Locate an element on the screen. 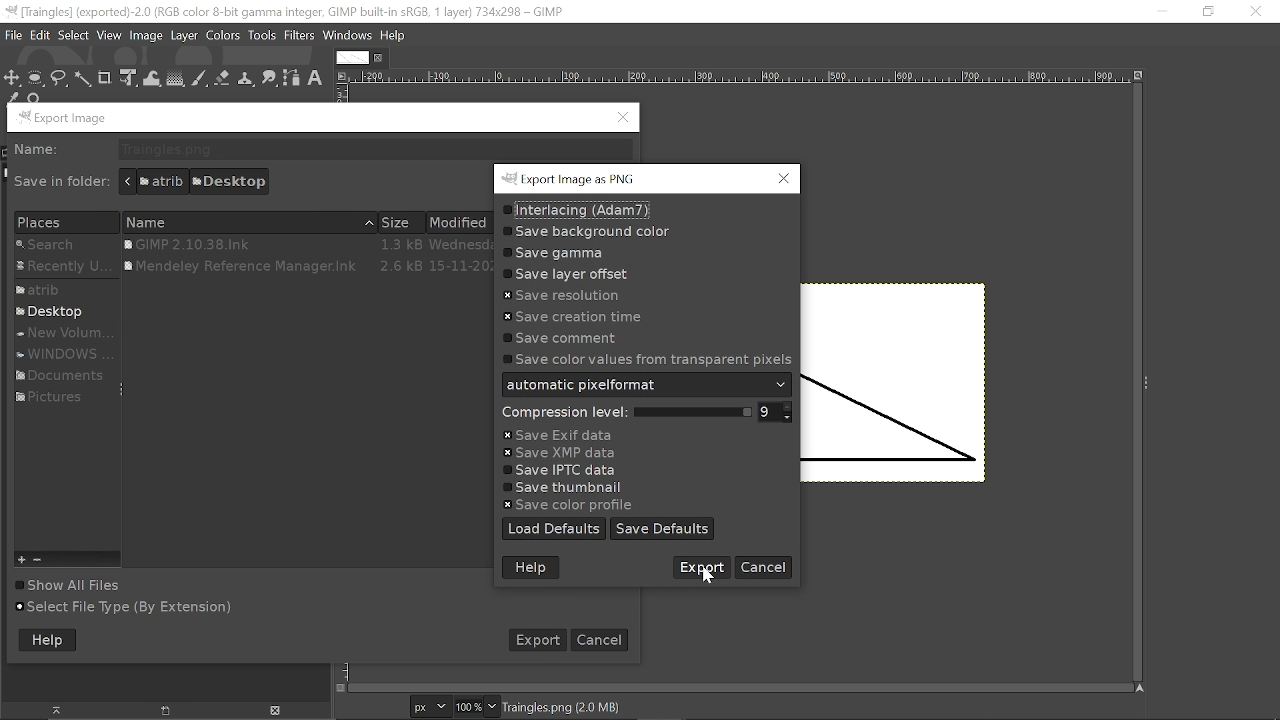 The image size is (1280, 720). Layer is located at coordinates (184, 36).